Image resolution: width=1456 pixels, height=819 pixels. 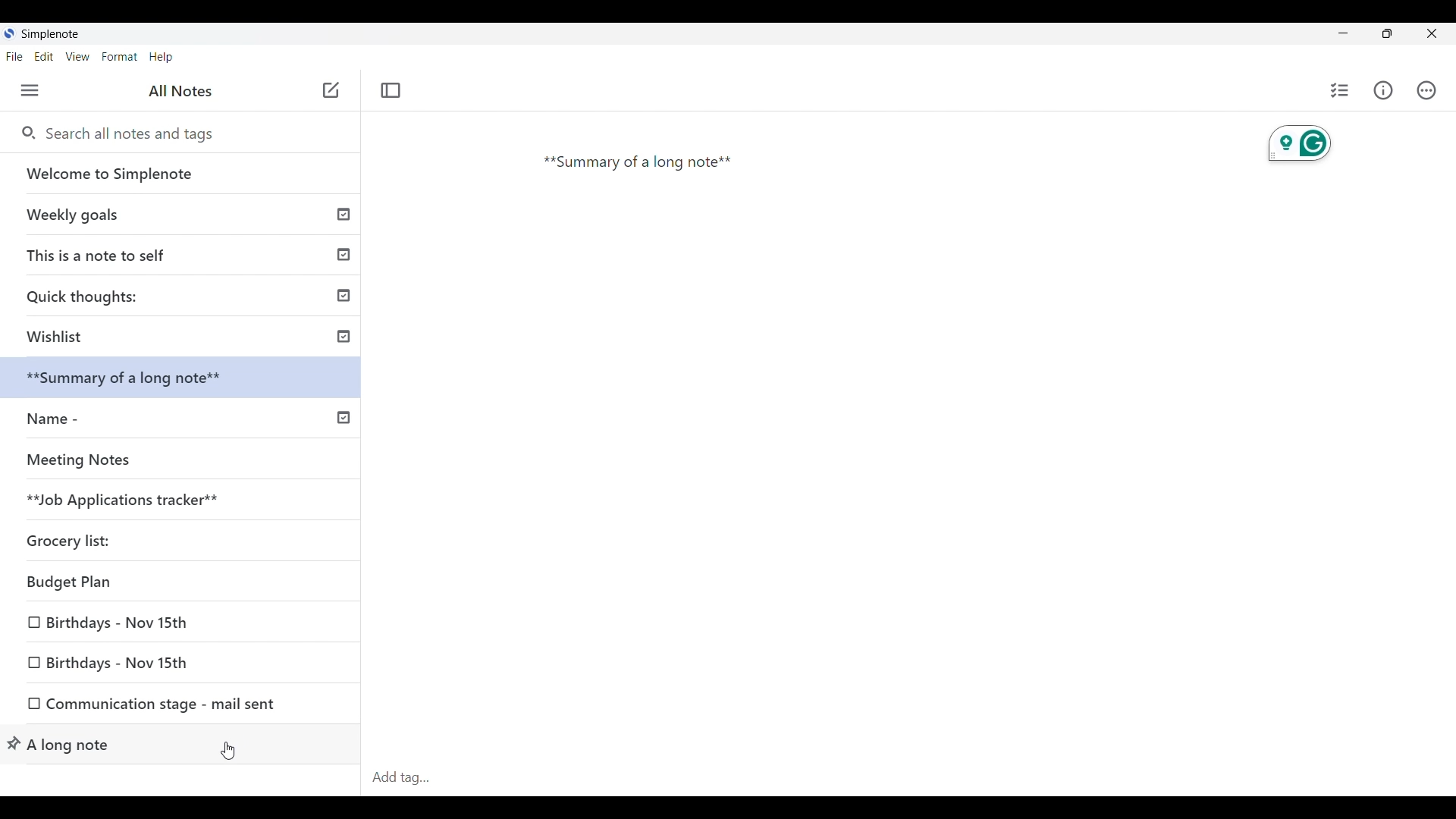 What do you see at coordinates (136, 134) in the screenshot?
I see `Search all notes and tags` at bounding box center [136, 134].